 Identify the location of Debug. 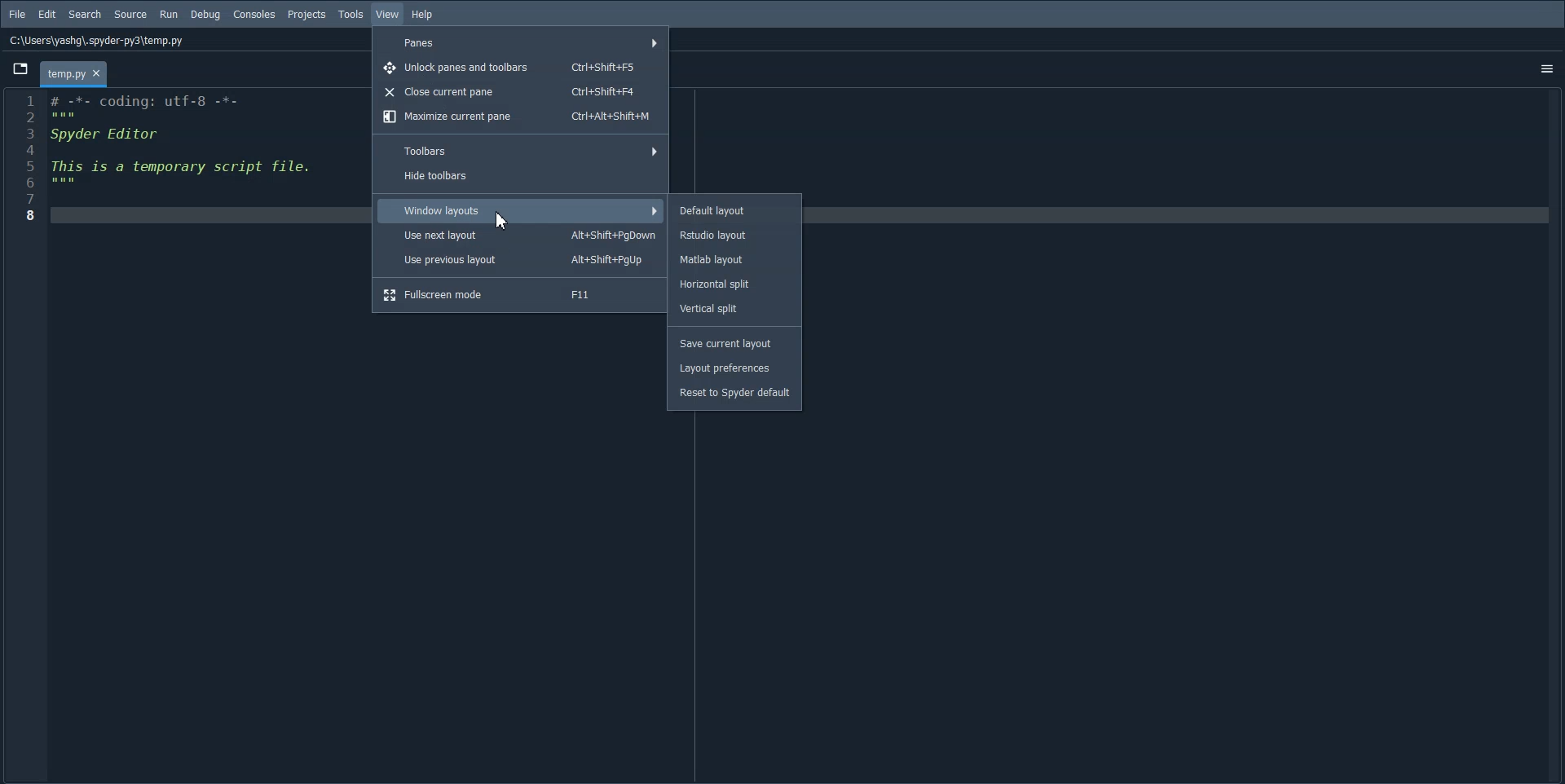
(205, 15).